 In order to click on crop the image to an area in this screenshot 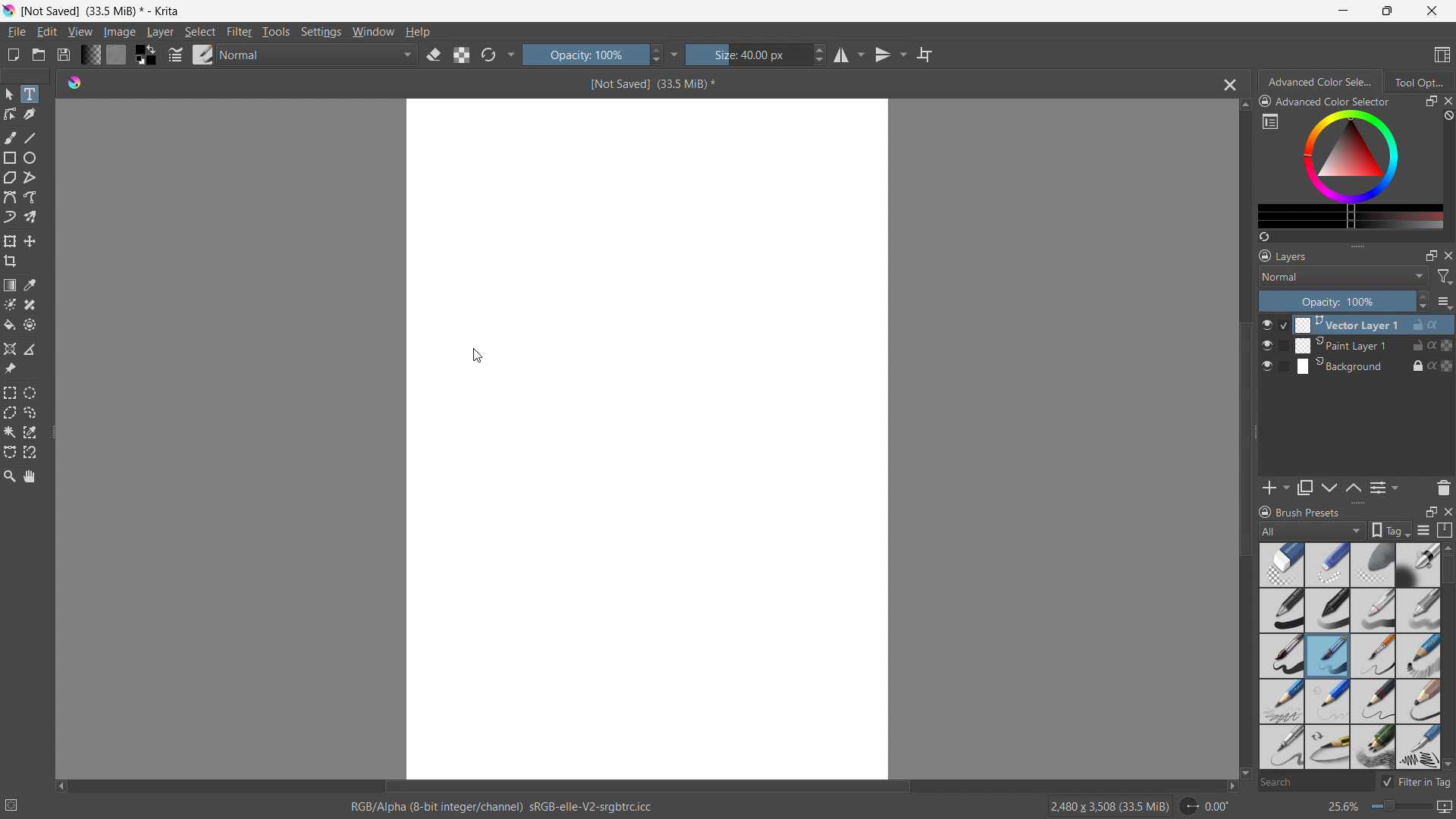, I will do `click(11, 261)`.